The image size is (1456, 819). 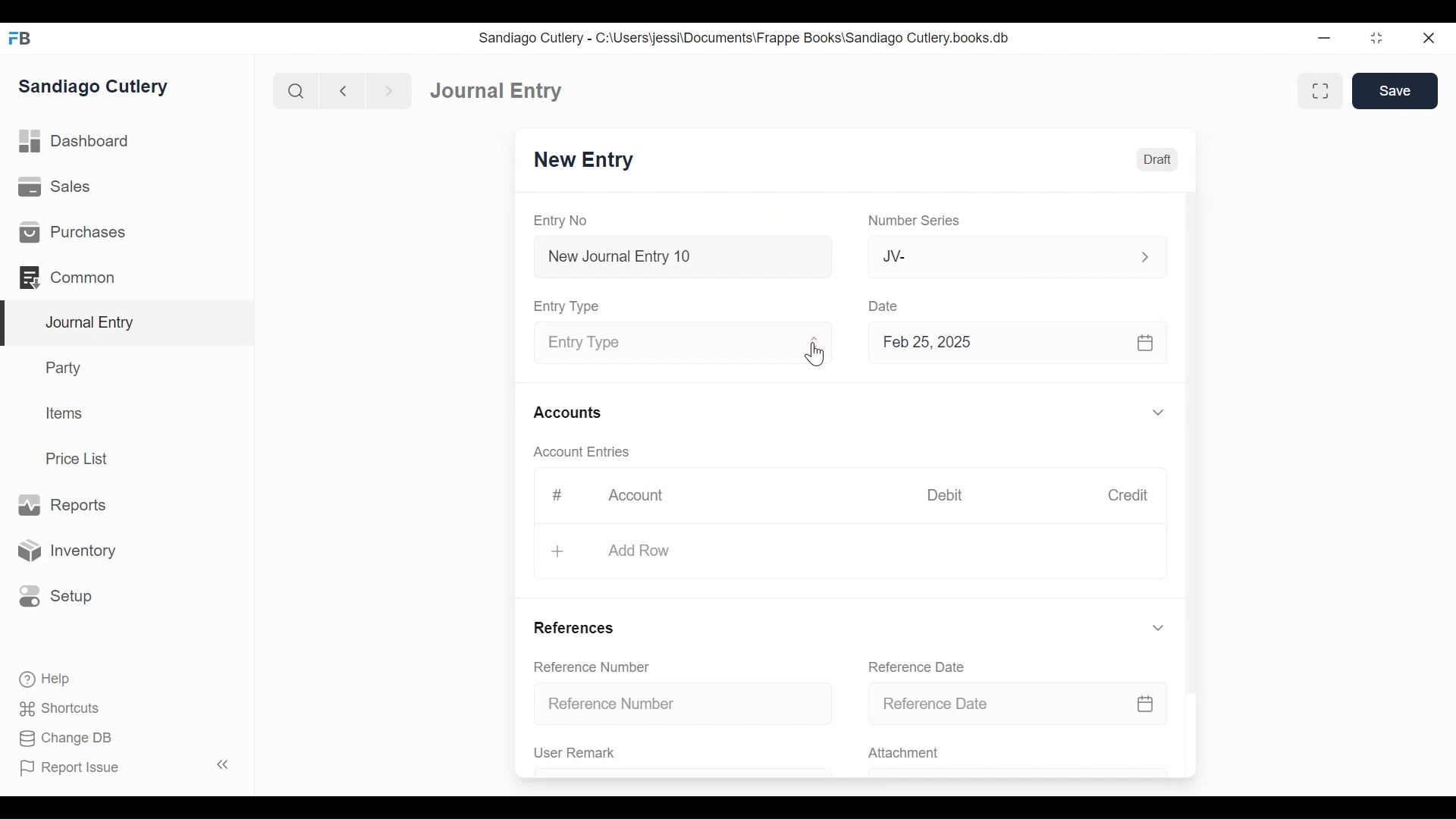 What do you see at coordinates (1131, 497) in the screenshot?
I see `Credit` at bounding box center [1131, 497].